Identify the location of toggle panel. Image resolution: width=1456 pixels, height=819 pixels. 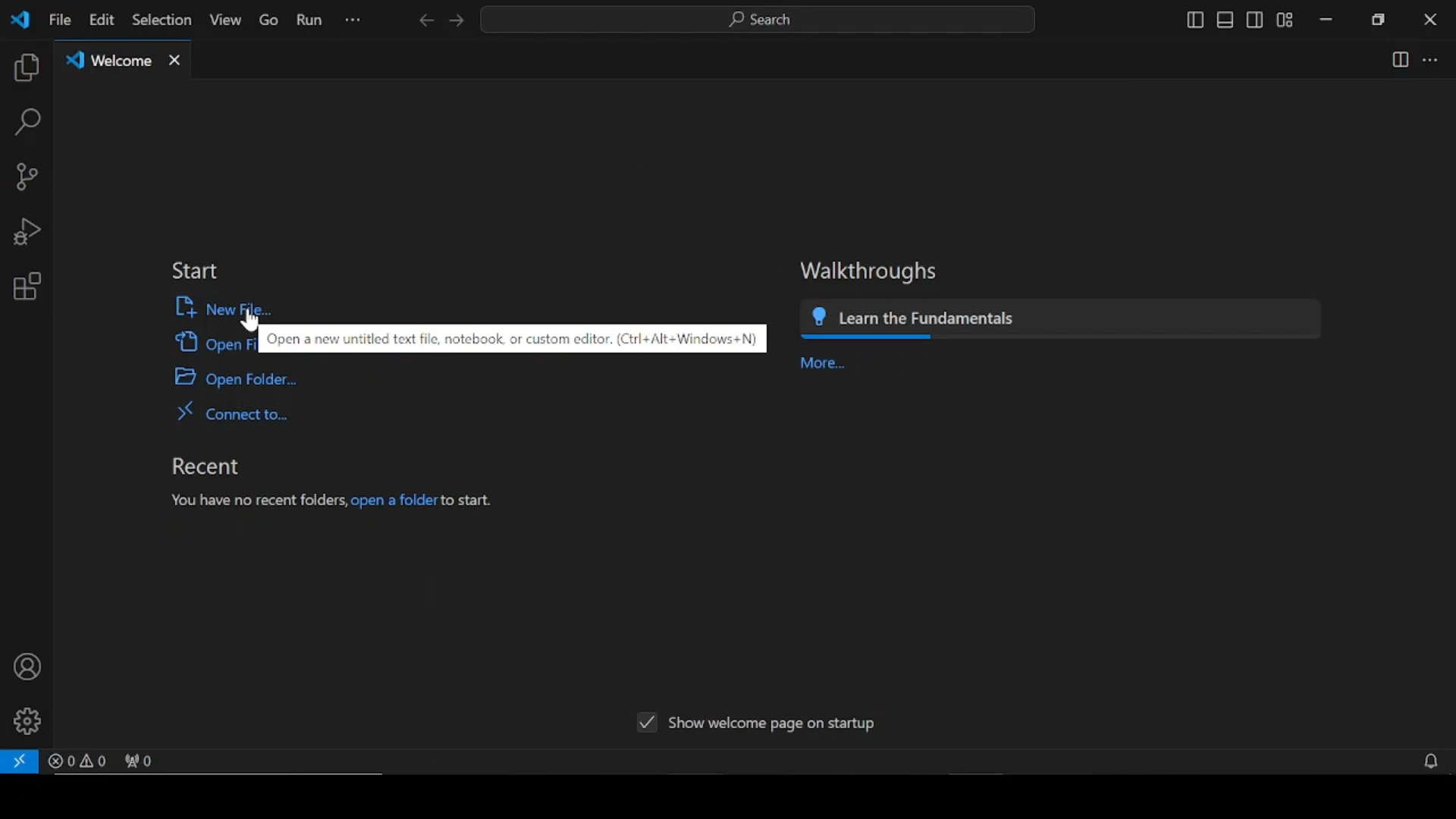
(1226, 20).